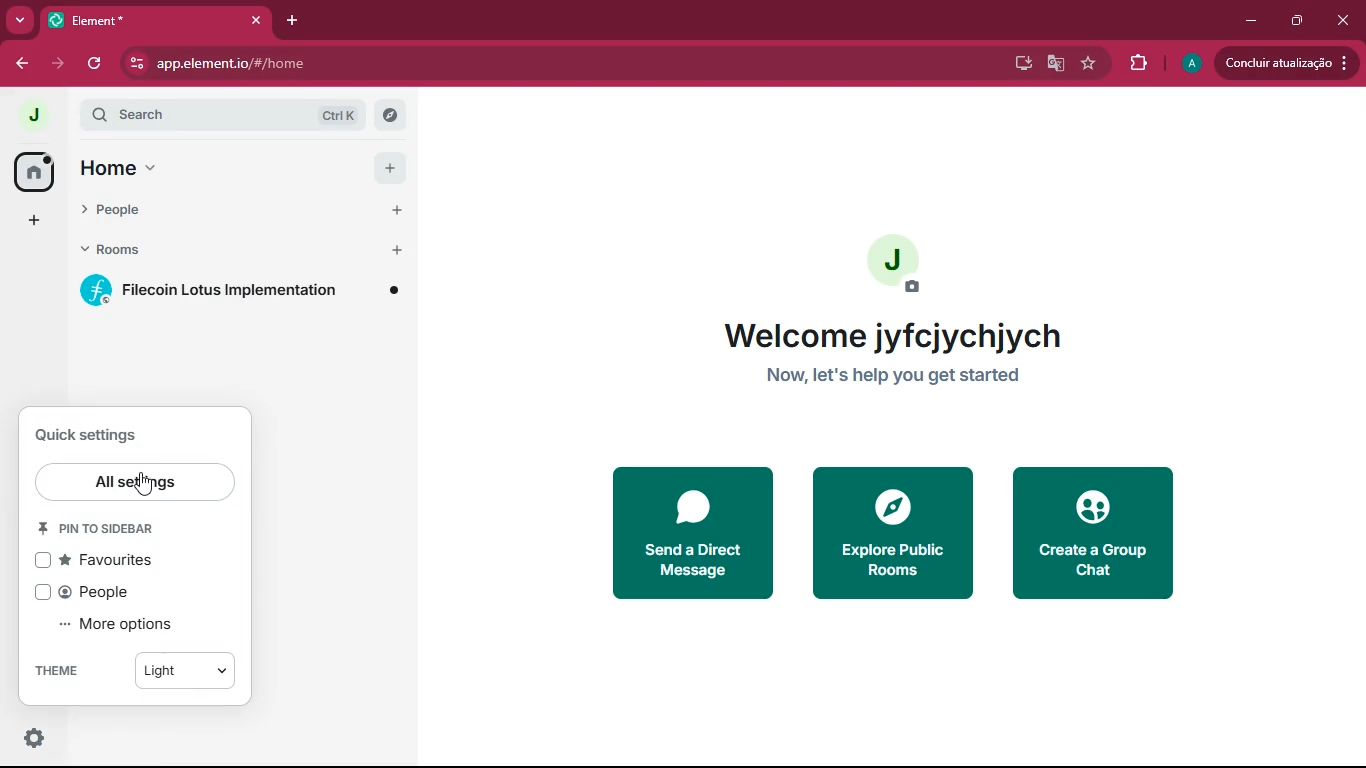 The width and height of the screenshot is (1366, 768). Describe the element at coordinates (34, 222) in the screenshot. I see `add` at that location.